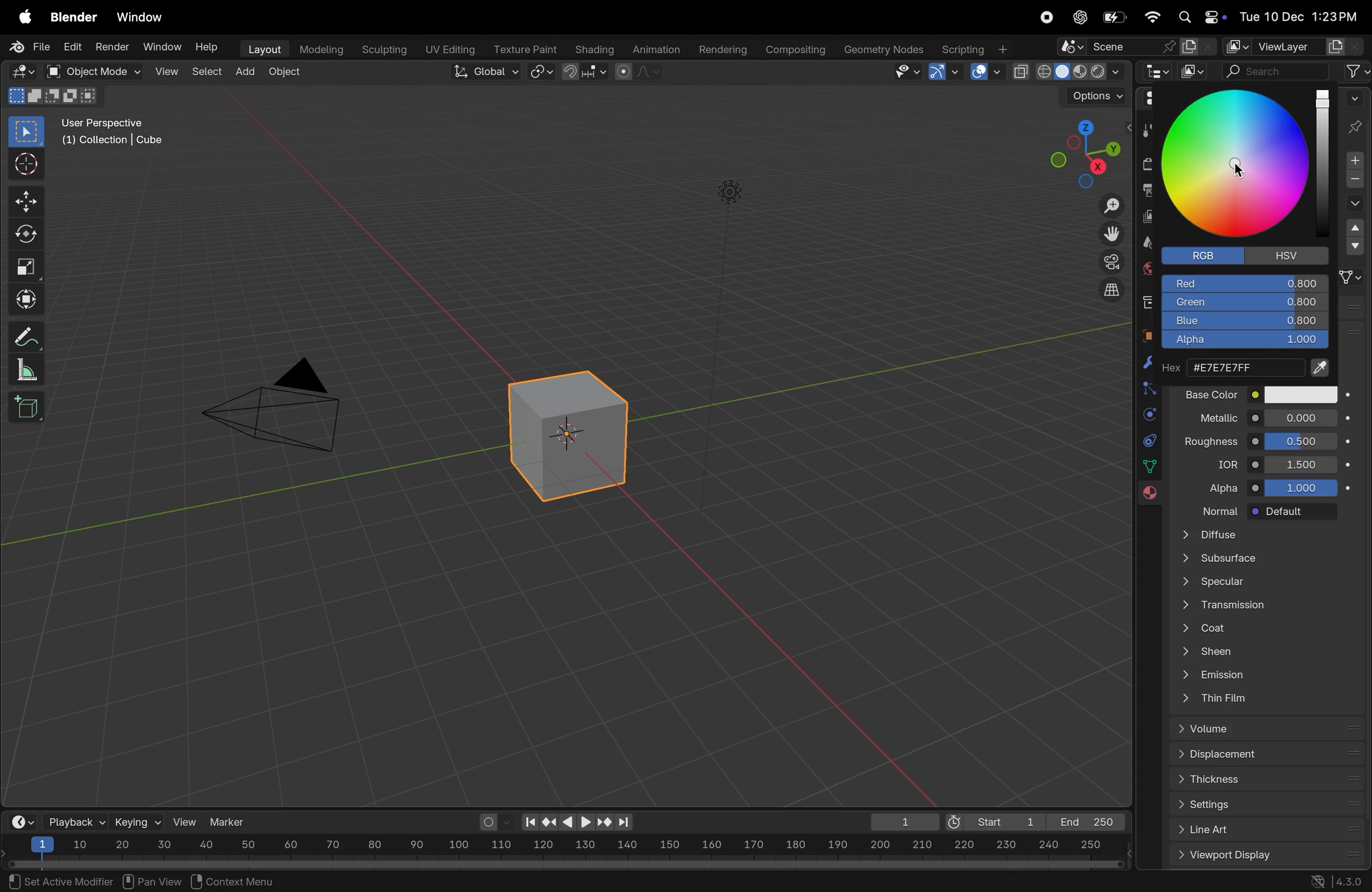 Image resolution: width=1372 pixels, height=892 pixels. What do you see at coordinates (1143, 191) in the screenshot?
I see `output` at bounding box center [1143, 191].